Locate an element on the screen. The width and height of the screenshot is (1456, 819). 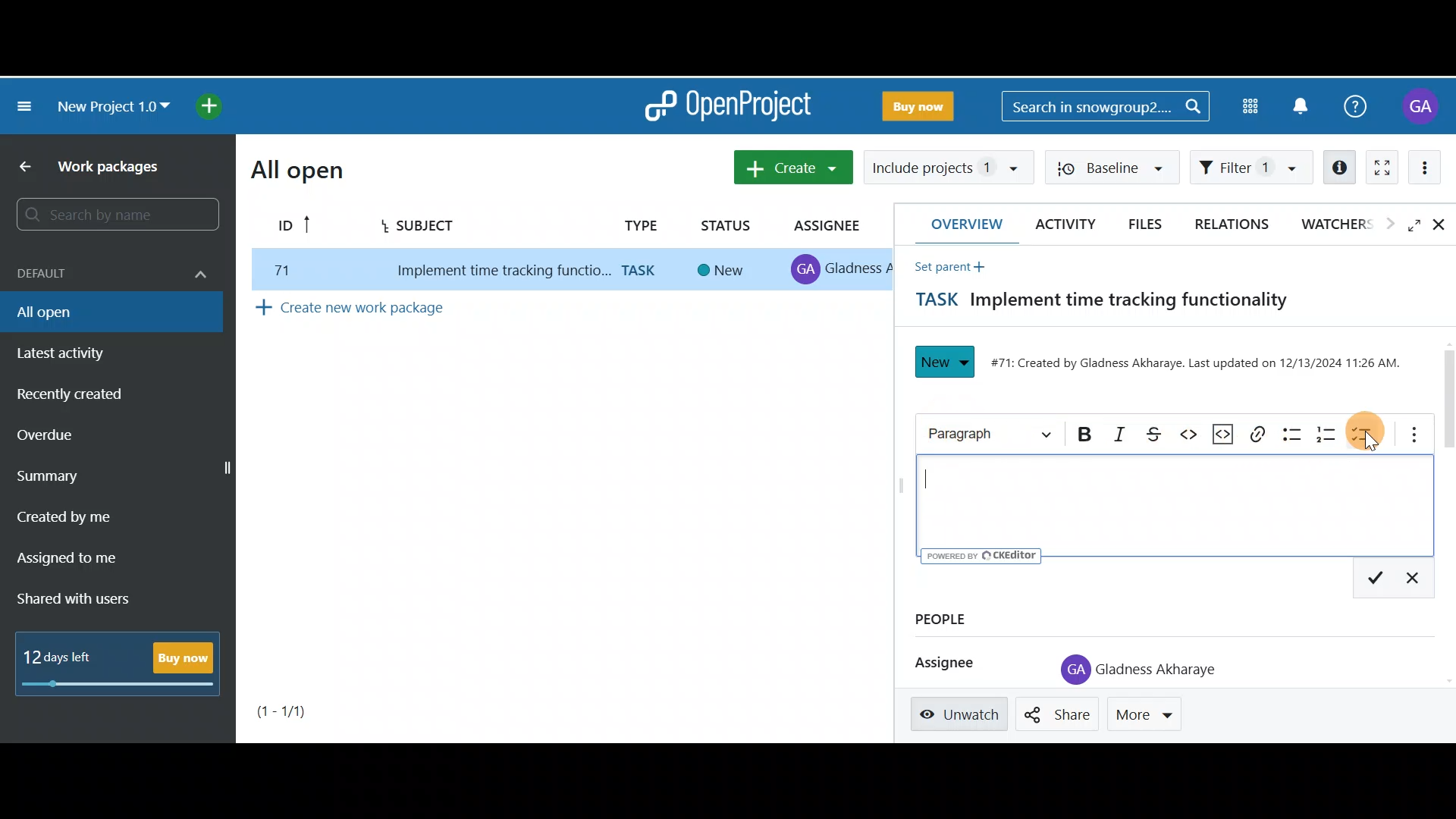
task is located at coordinates (643, 271).